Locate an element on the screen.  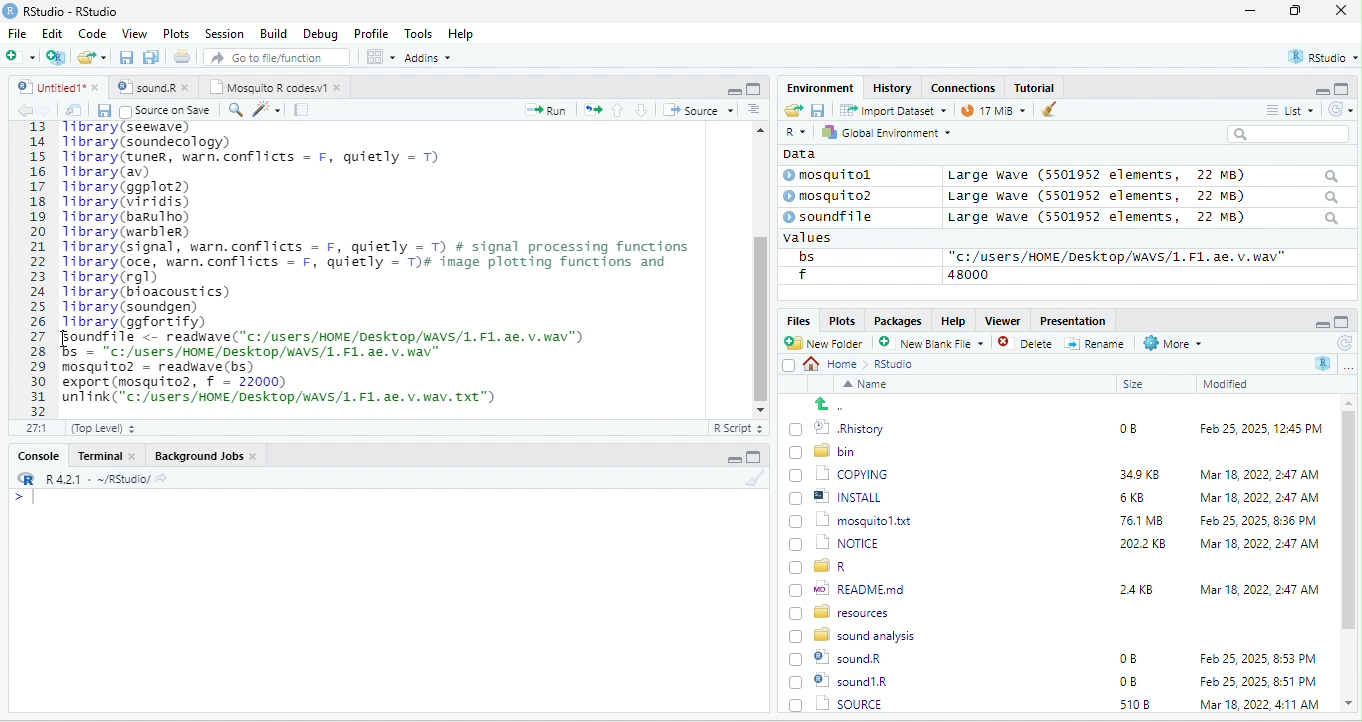
cursor is located at coordinates (494, 400).